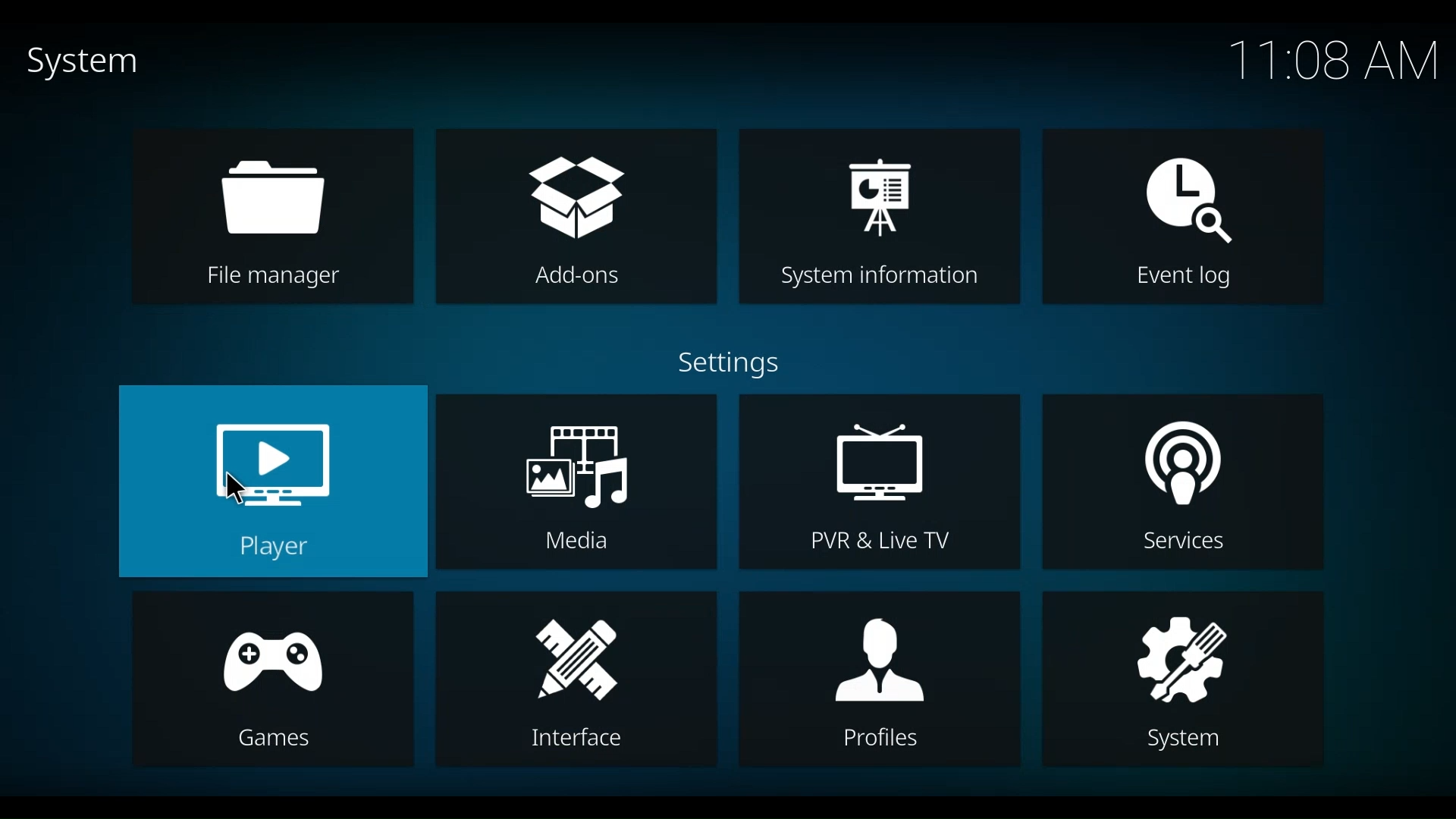 The height and width of the screenshot is (819, 1456). Describe the element at coordinates (276, 679) in the screenshot. I see `Games` at that location.